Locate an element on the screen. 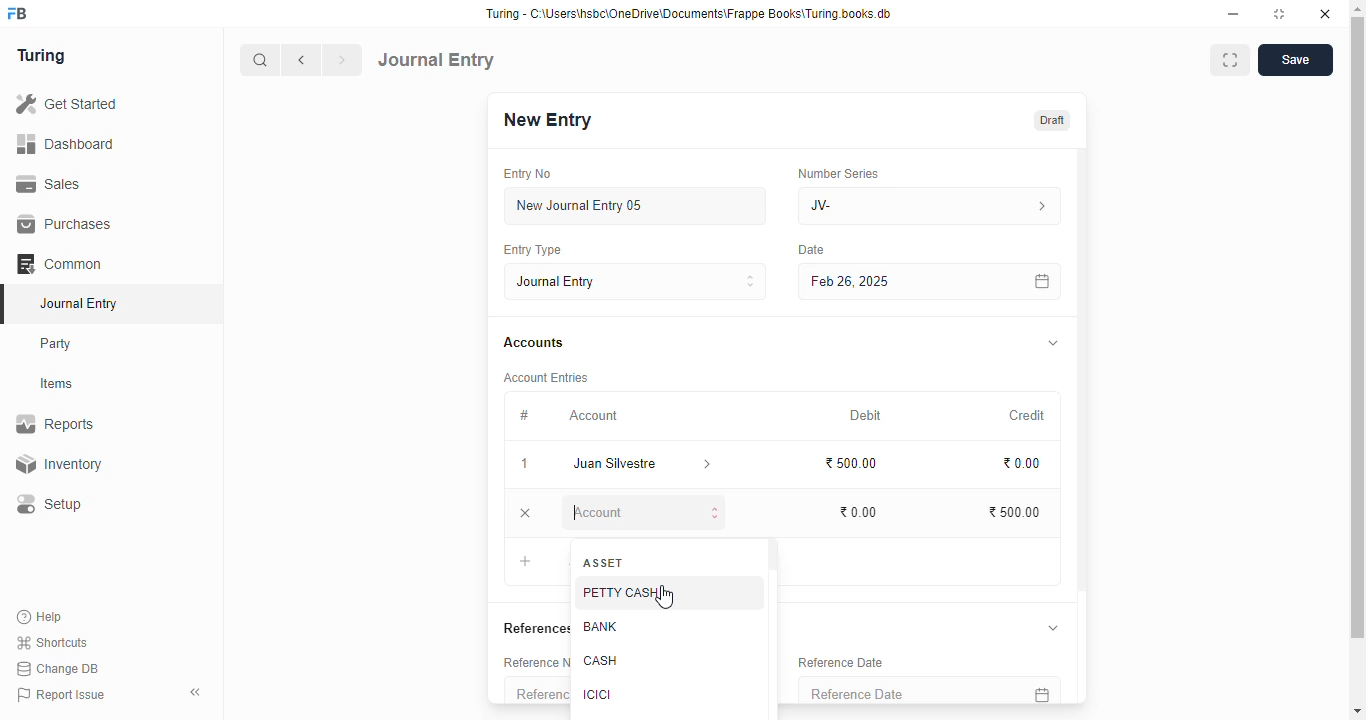 The height and width of the screenshot is (720, 1366). scroll bar is located at coordinates (1082, 426).